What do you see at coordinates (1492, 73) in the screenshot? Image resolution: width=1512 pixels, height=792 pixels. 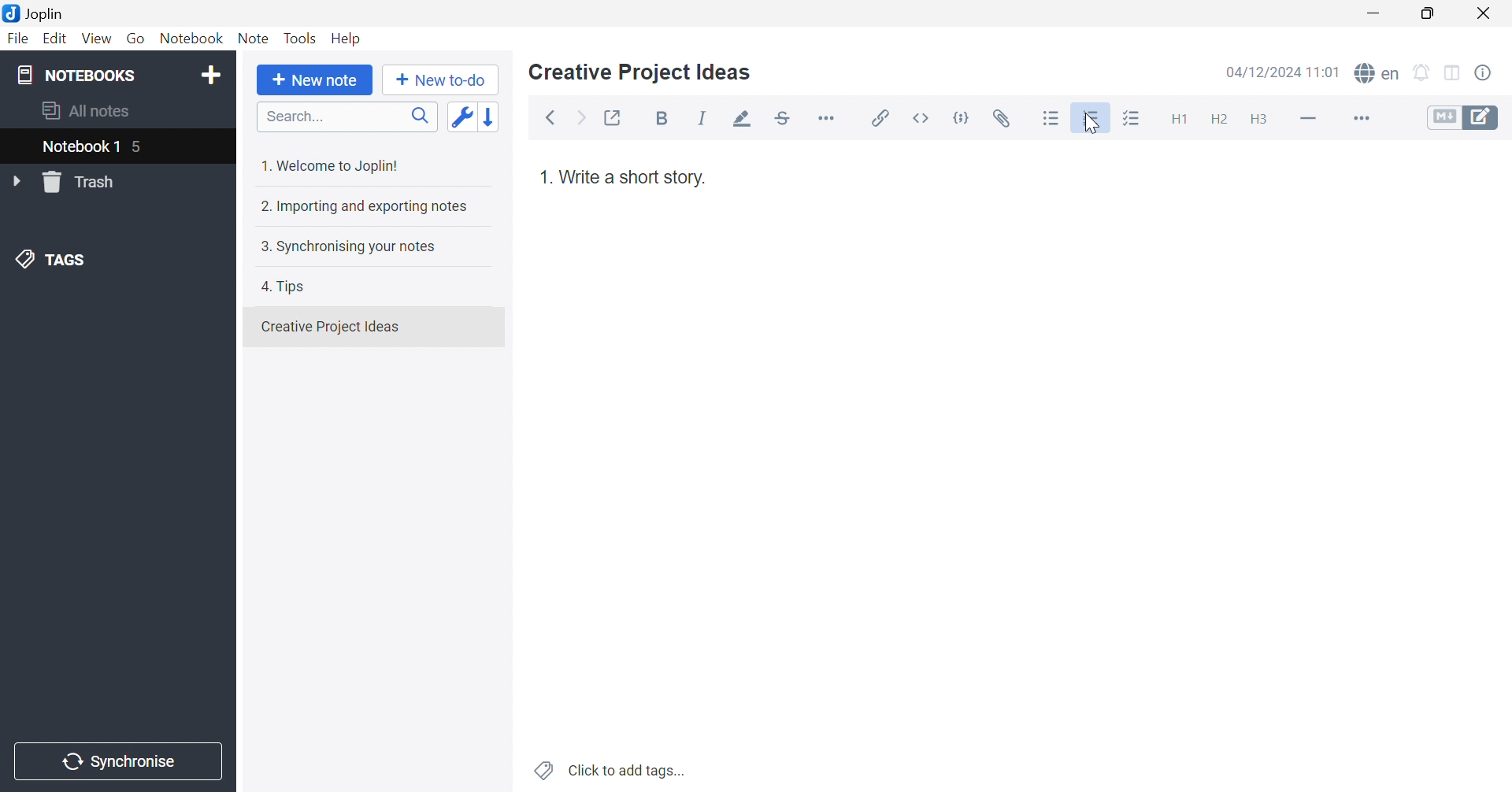 I see `Note properties` at bounding box center [1492, 73].